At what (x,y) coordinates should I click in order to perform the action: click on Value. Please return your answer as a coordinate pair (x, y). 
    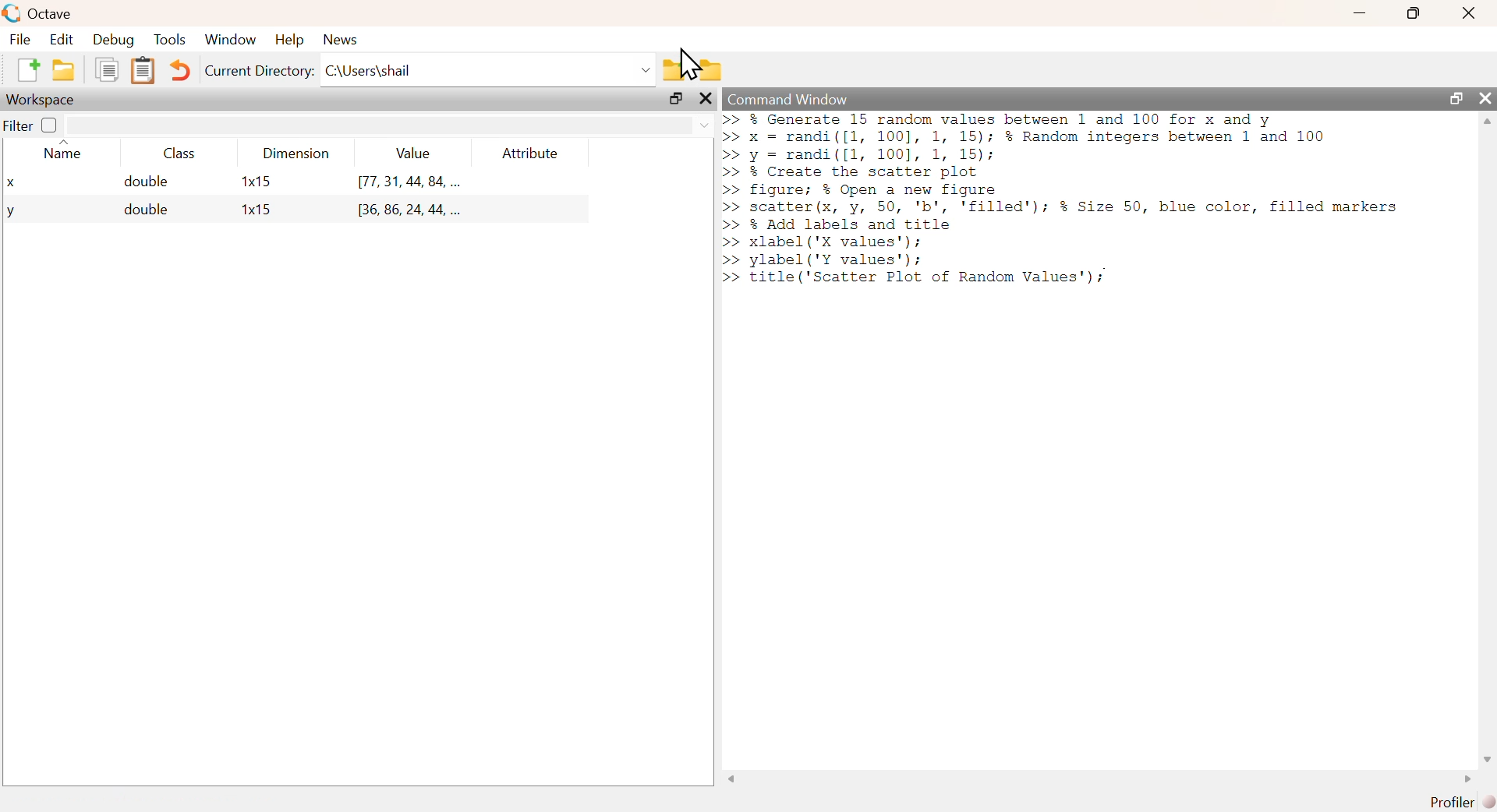
    Looking at the image, I should click on (418, 154).